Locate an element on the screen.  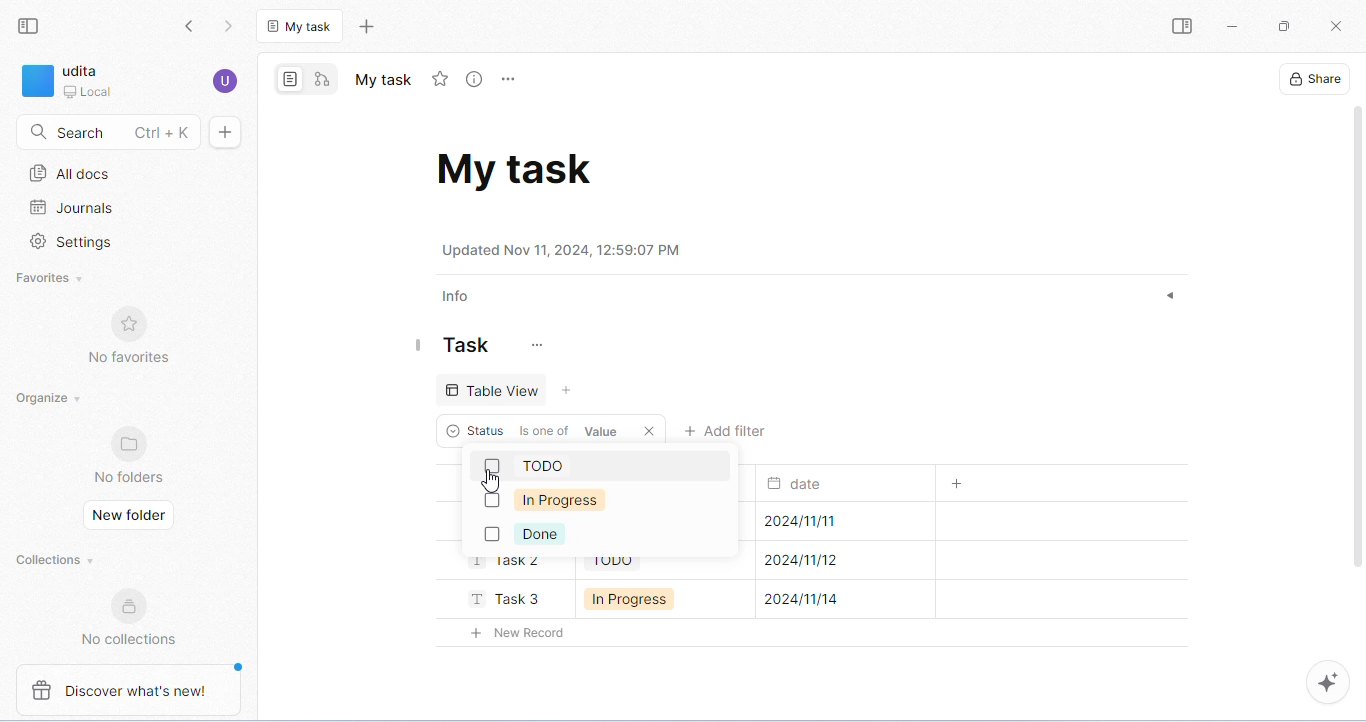
todo is located at coordinates (614, 565).